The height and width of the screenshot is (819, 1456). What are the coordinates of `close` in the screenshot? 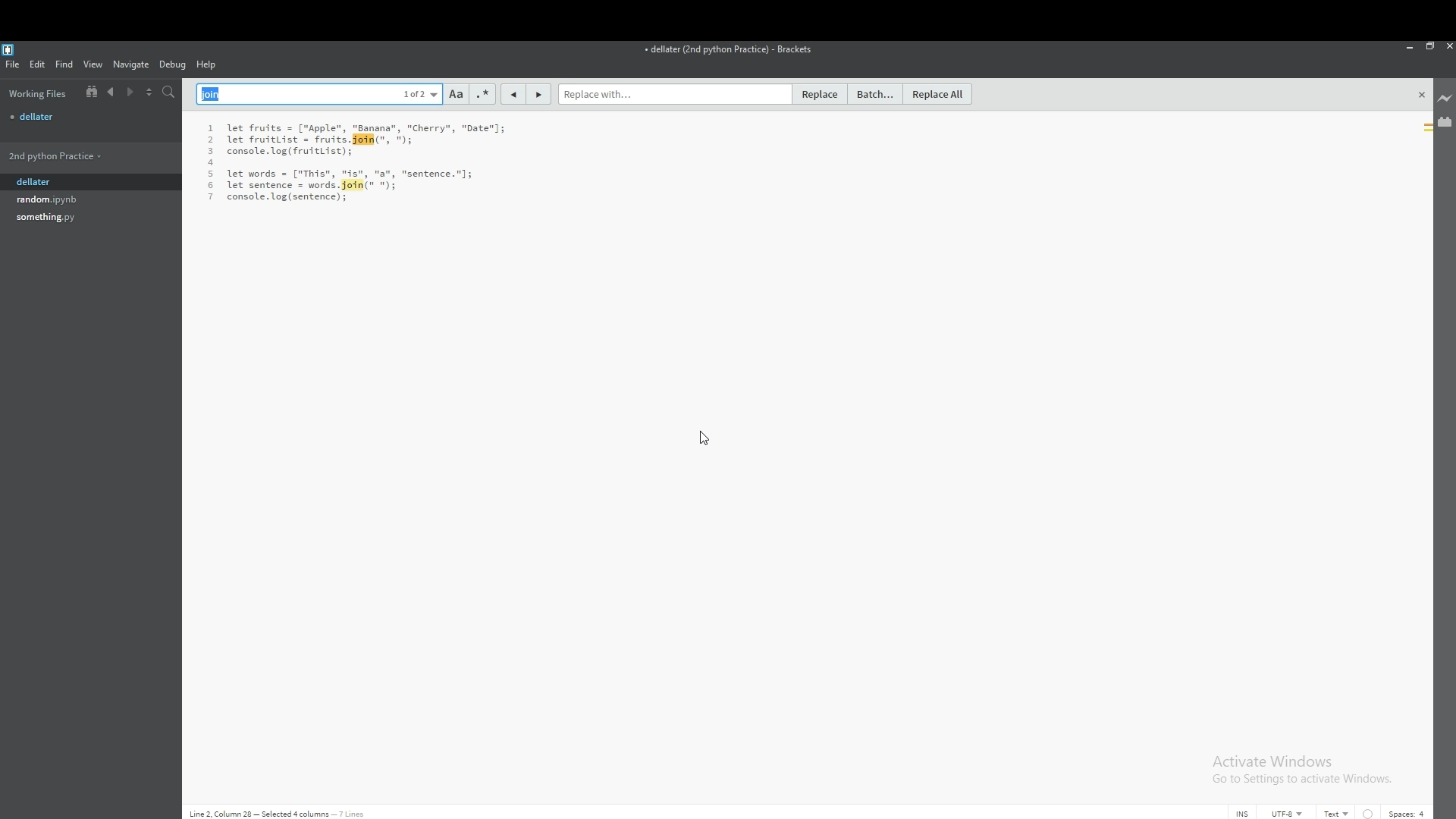 It's located at (1421, 95).